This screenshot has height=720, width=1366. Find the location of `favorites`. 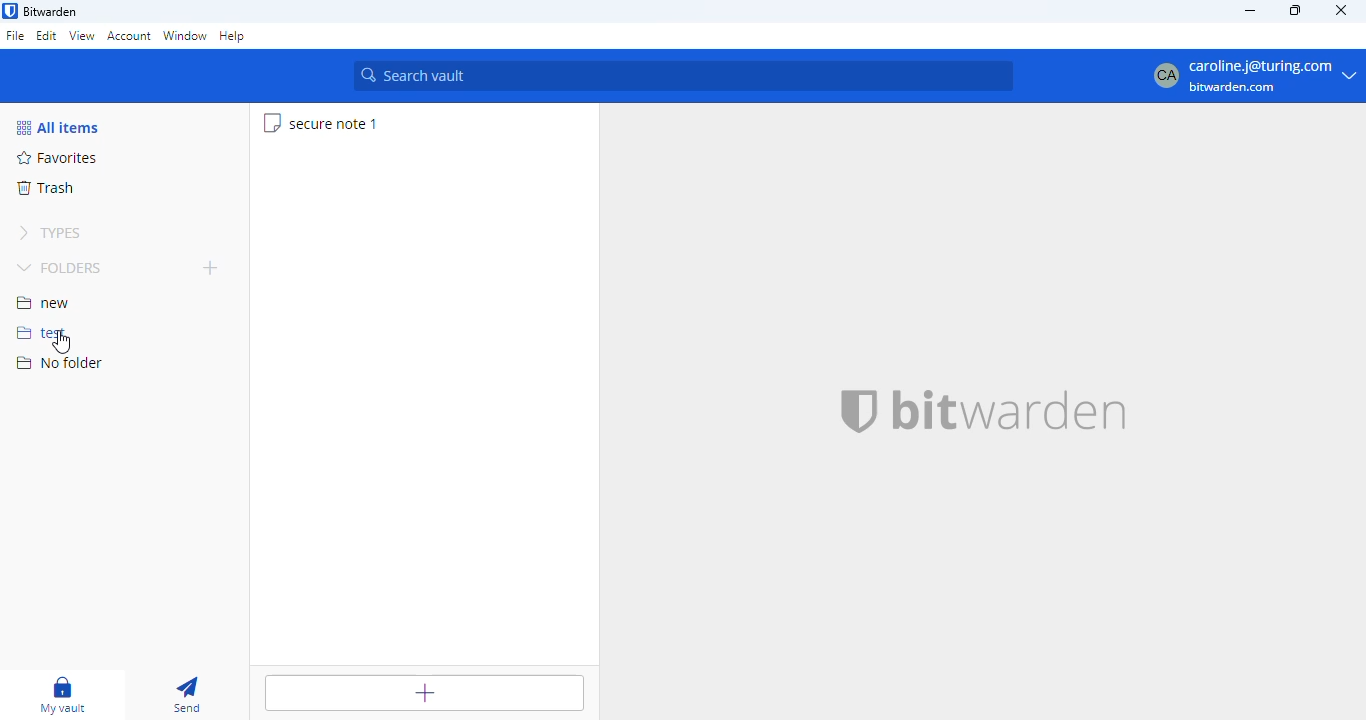

favorites is located at coordinates (58, 158).